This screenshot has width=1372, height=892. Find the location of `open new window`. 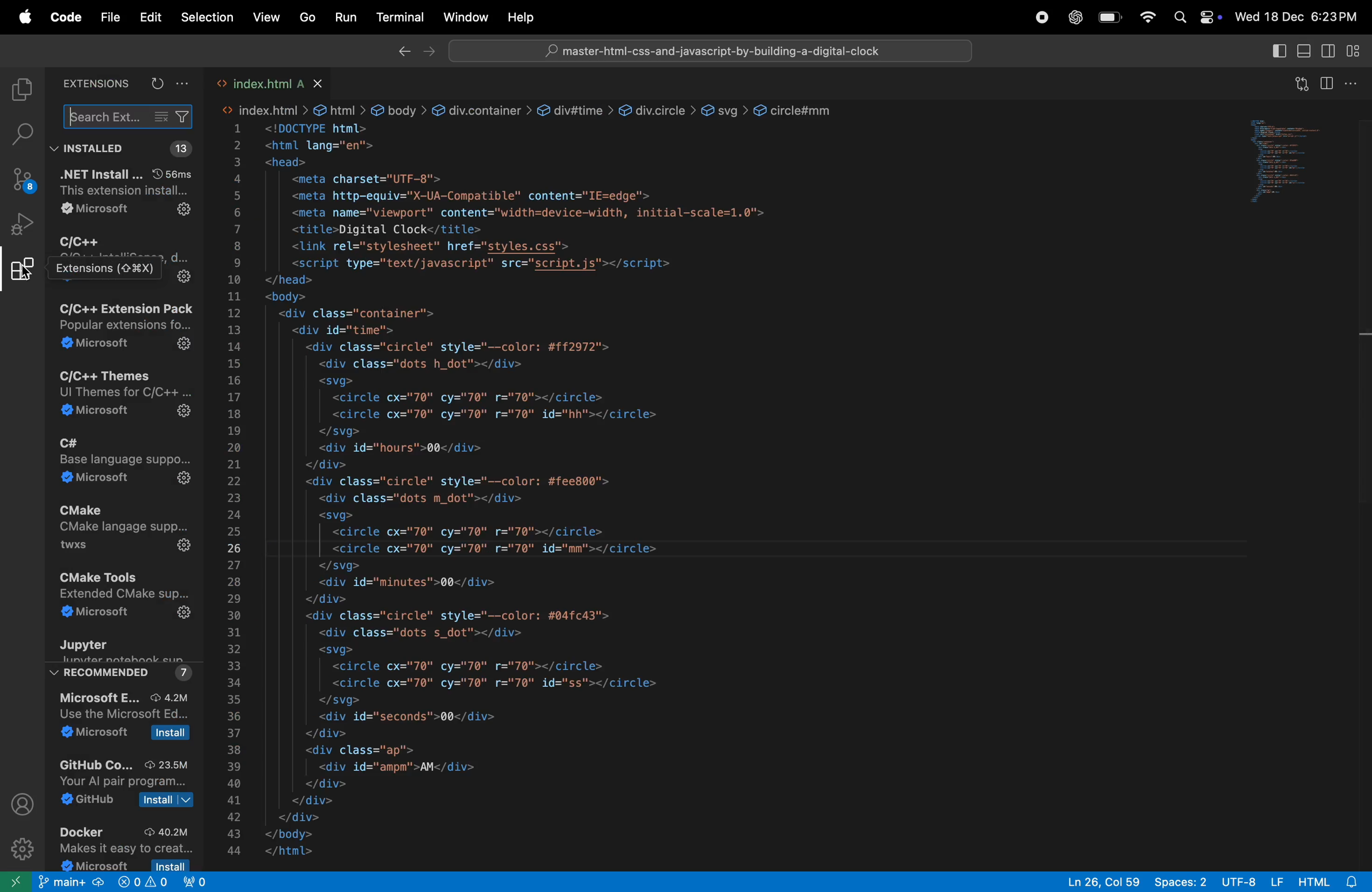

open new window is located at coordinates (17, 880).